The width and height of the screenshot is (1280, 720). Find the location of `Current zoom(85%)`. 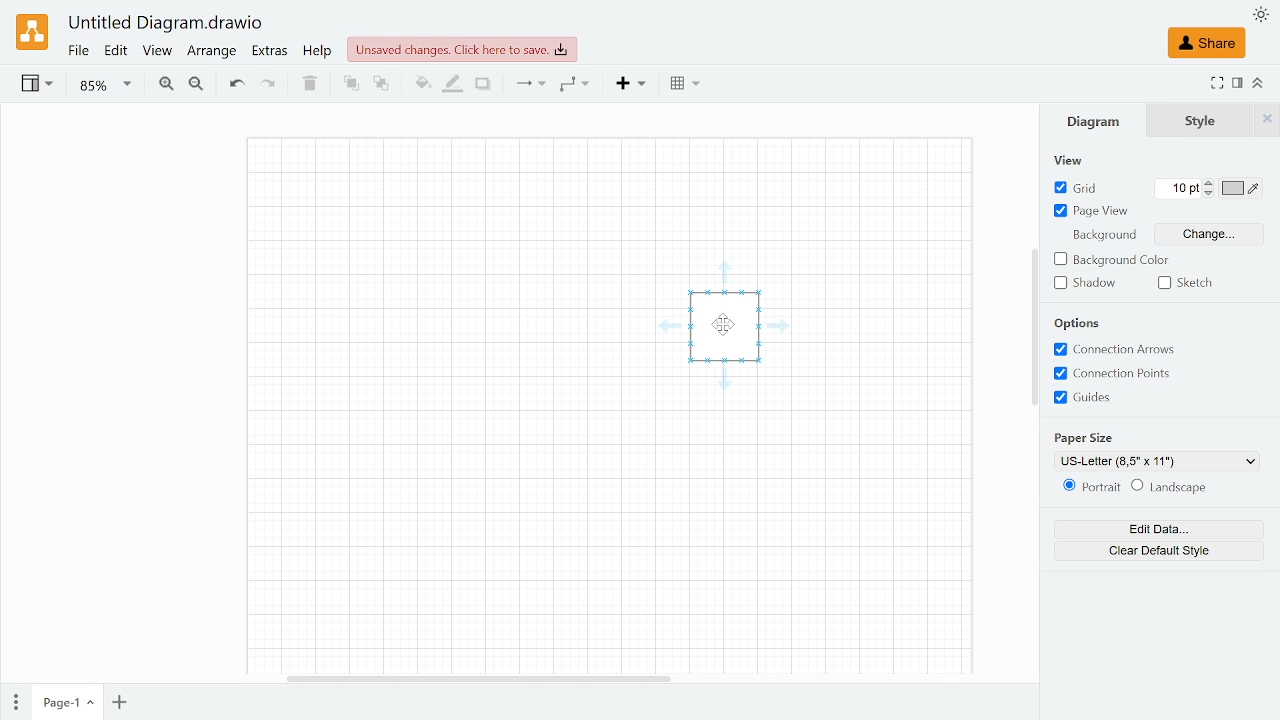

Current zoom(85%) is located at coordinates (106, 85).